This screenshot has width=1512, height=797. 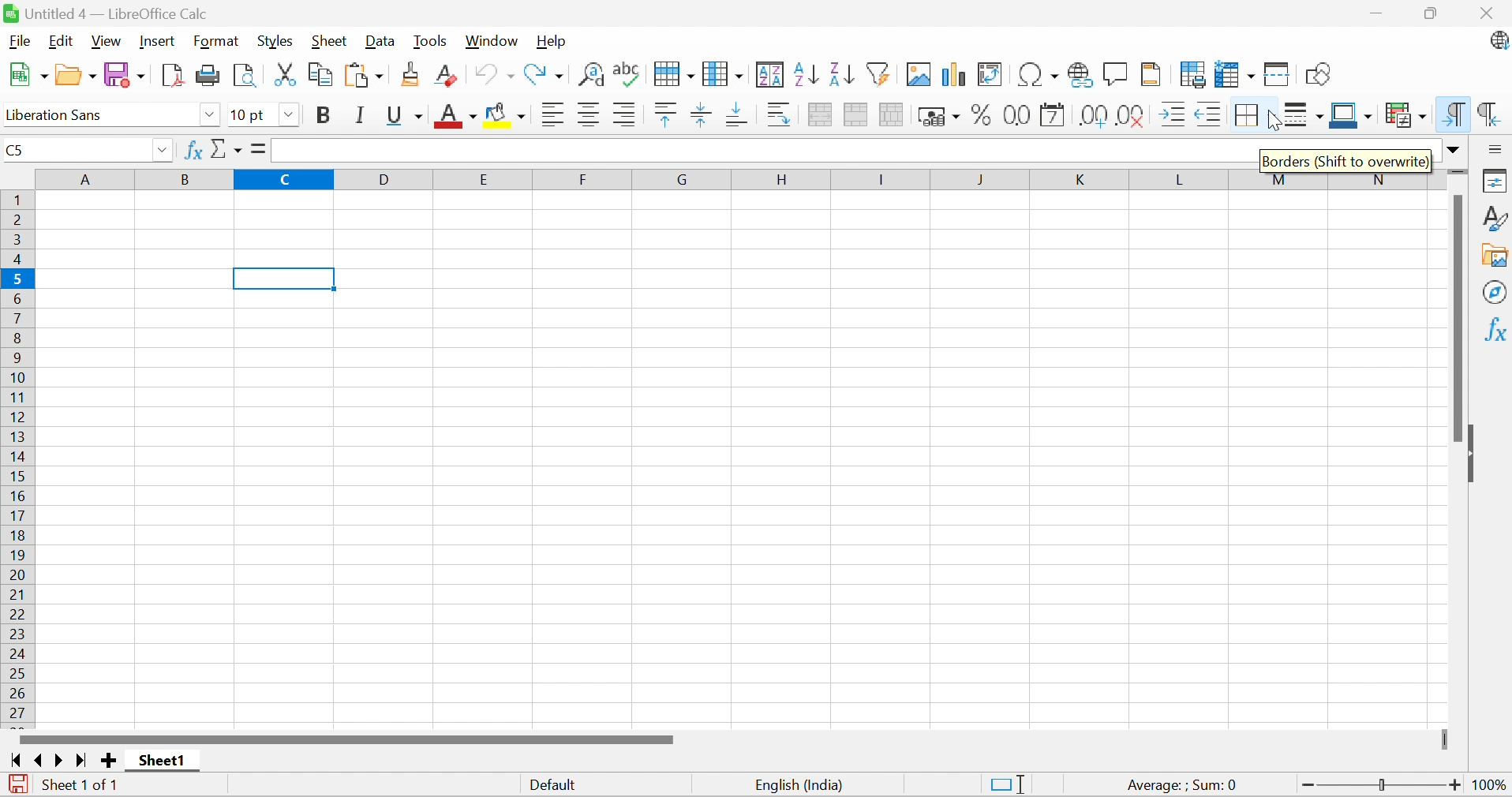 What do you see at coordinates (1458, 174) in the screenshot?
I see `Slider` at bounding box center [1458, 174].